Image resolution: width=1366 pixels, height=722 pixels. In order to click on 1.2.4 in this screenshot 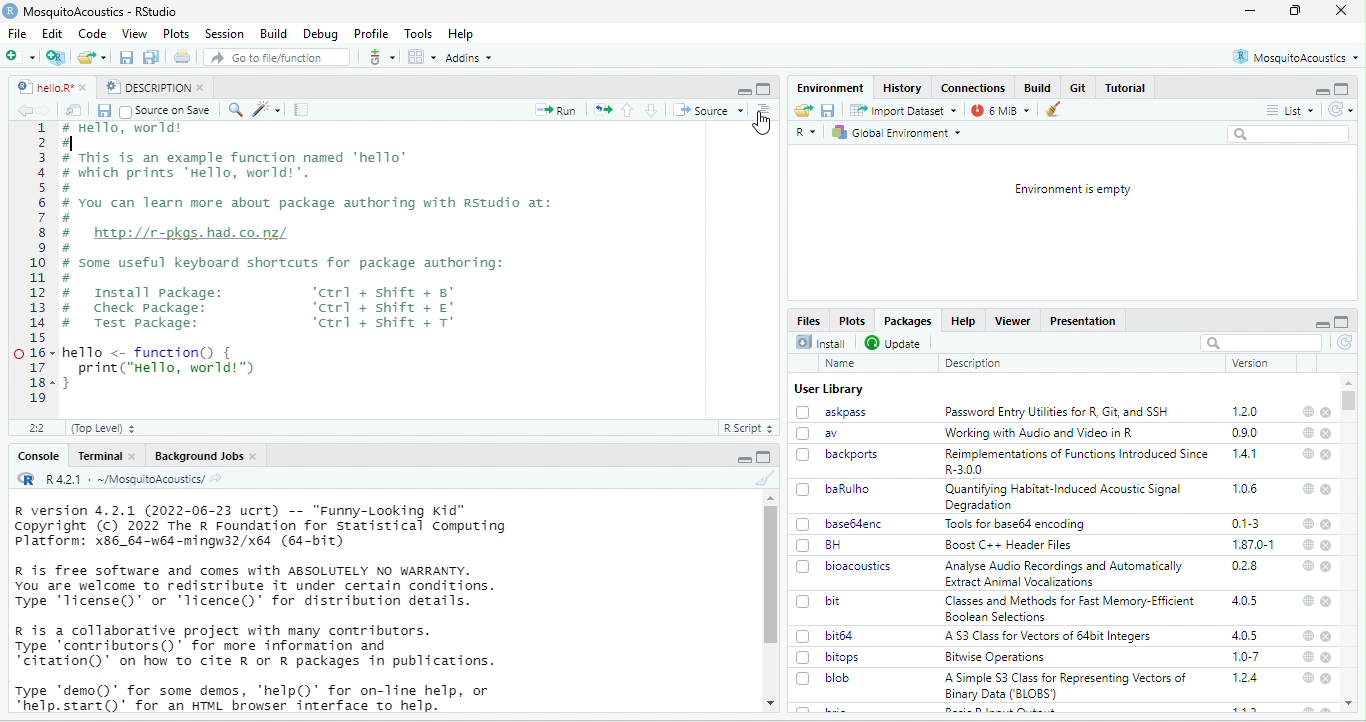, I will do `click(1247, 678)`.